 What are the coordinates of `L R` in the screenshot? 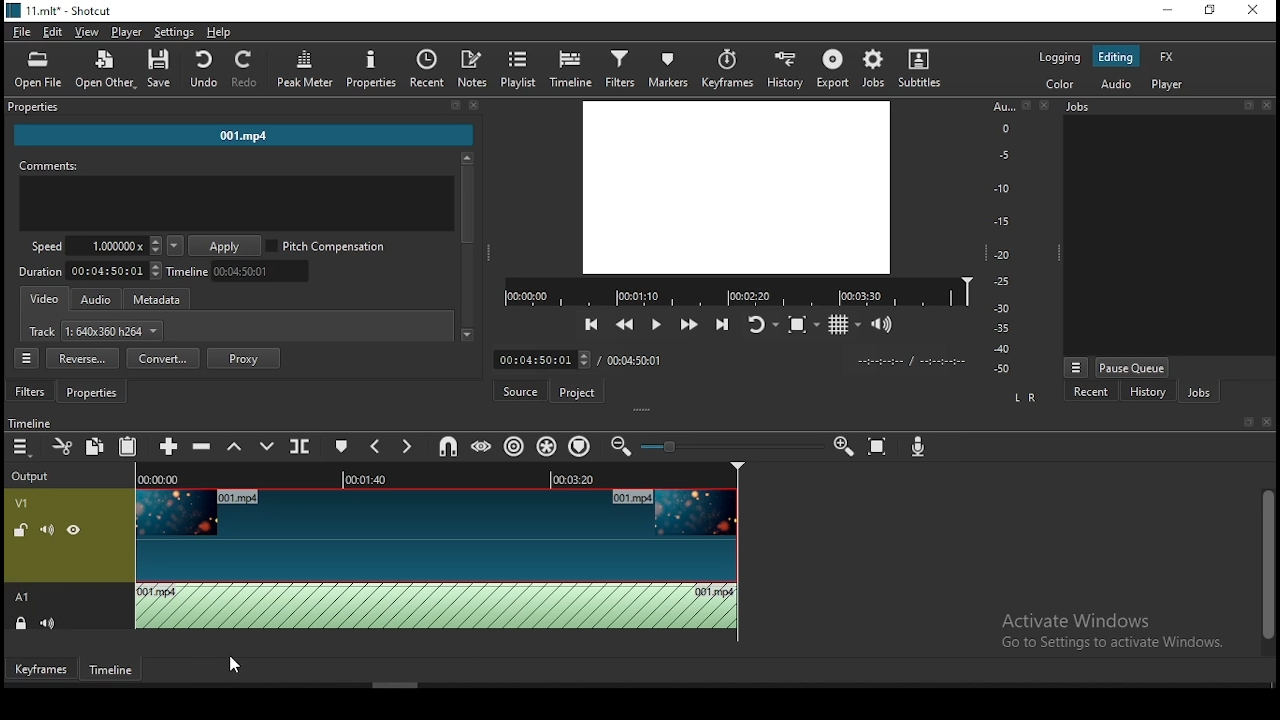 It's located at (1026, 400).